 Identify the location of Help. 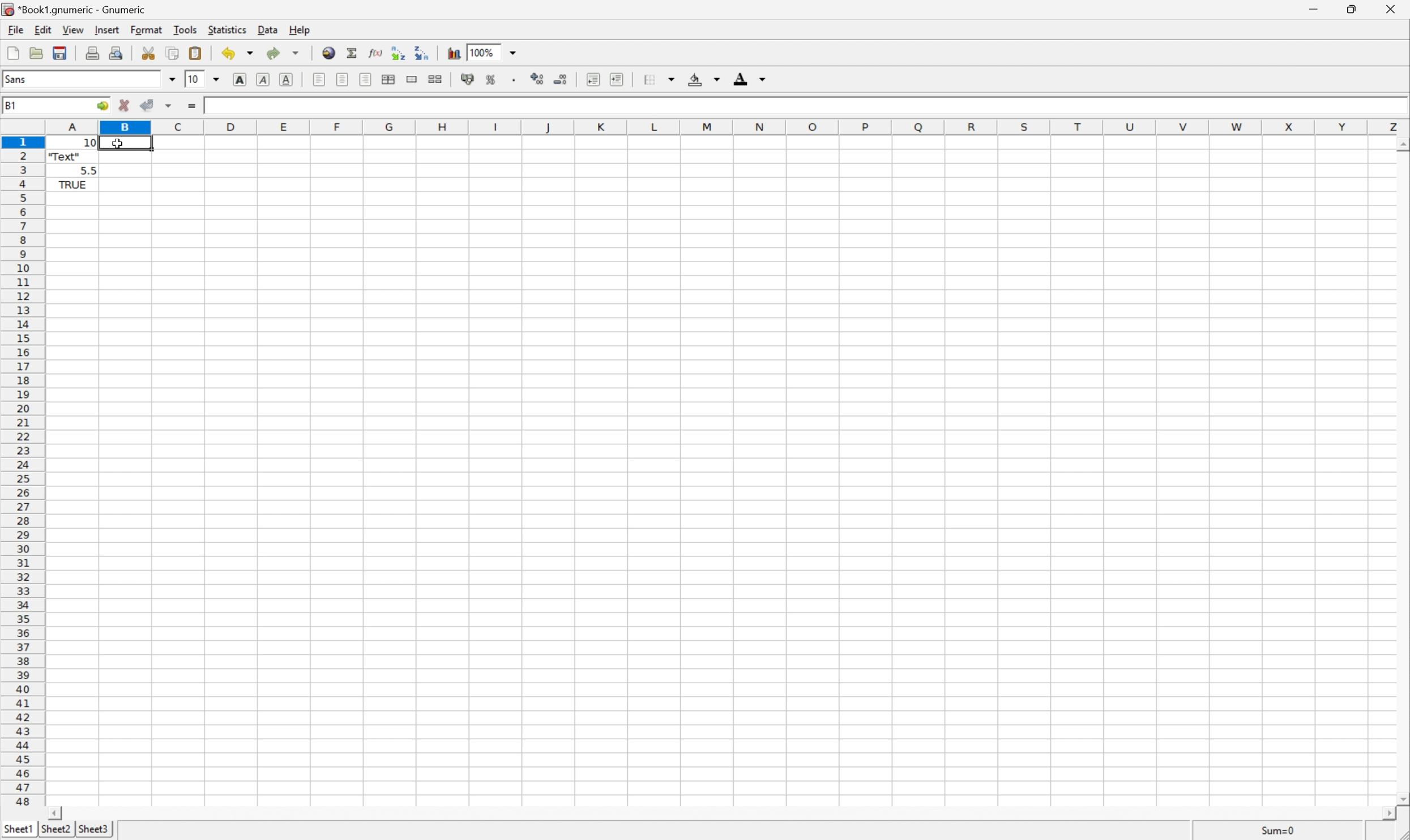
(302, 29).